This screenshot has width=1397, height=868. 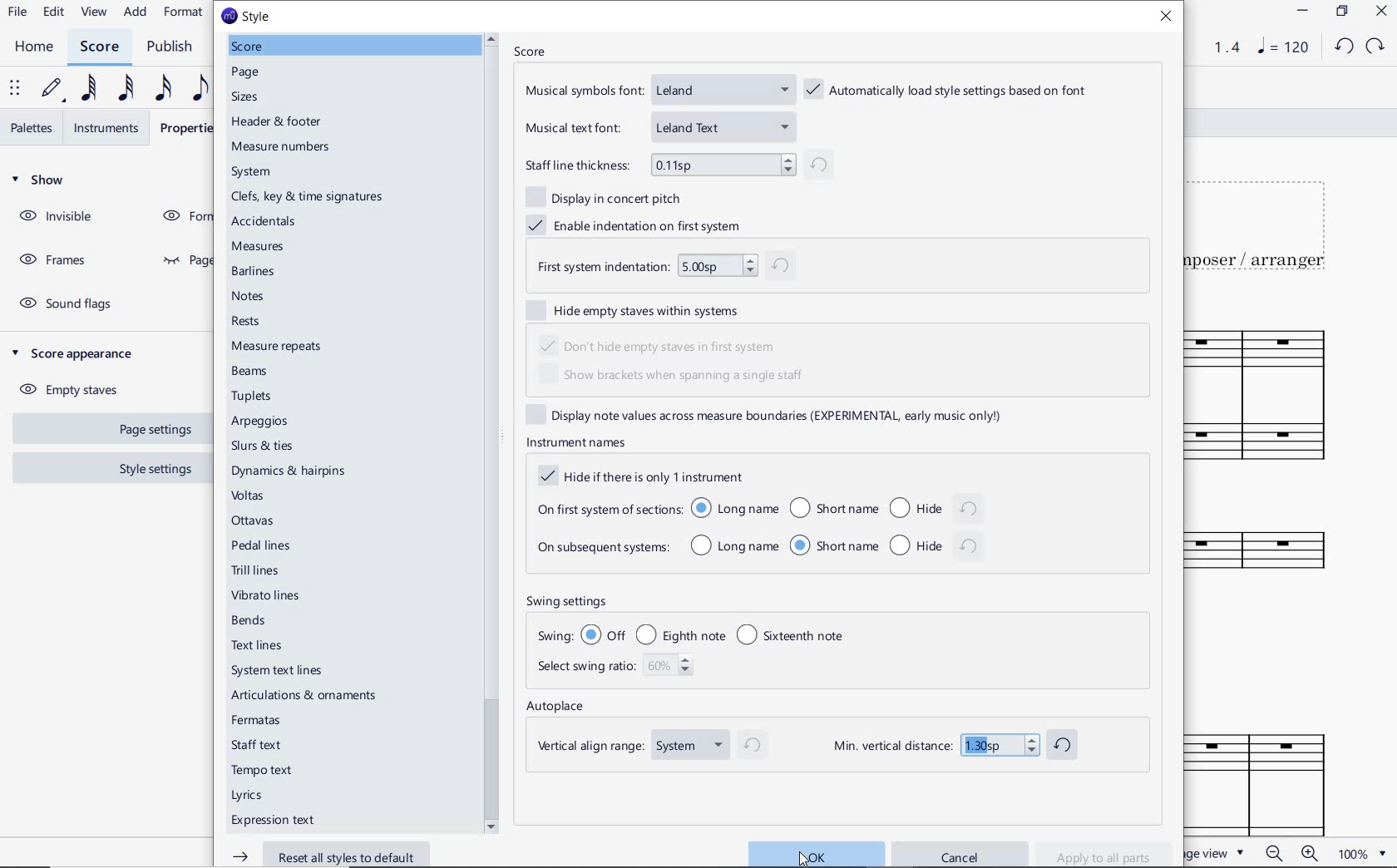 I want to click on Min. vertical distance, so click(x=954, y=743).